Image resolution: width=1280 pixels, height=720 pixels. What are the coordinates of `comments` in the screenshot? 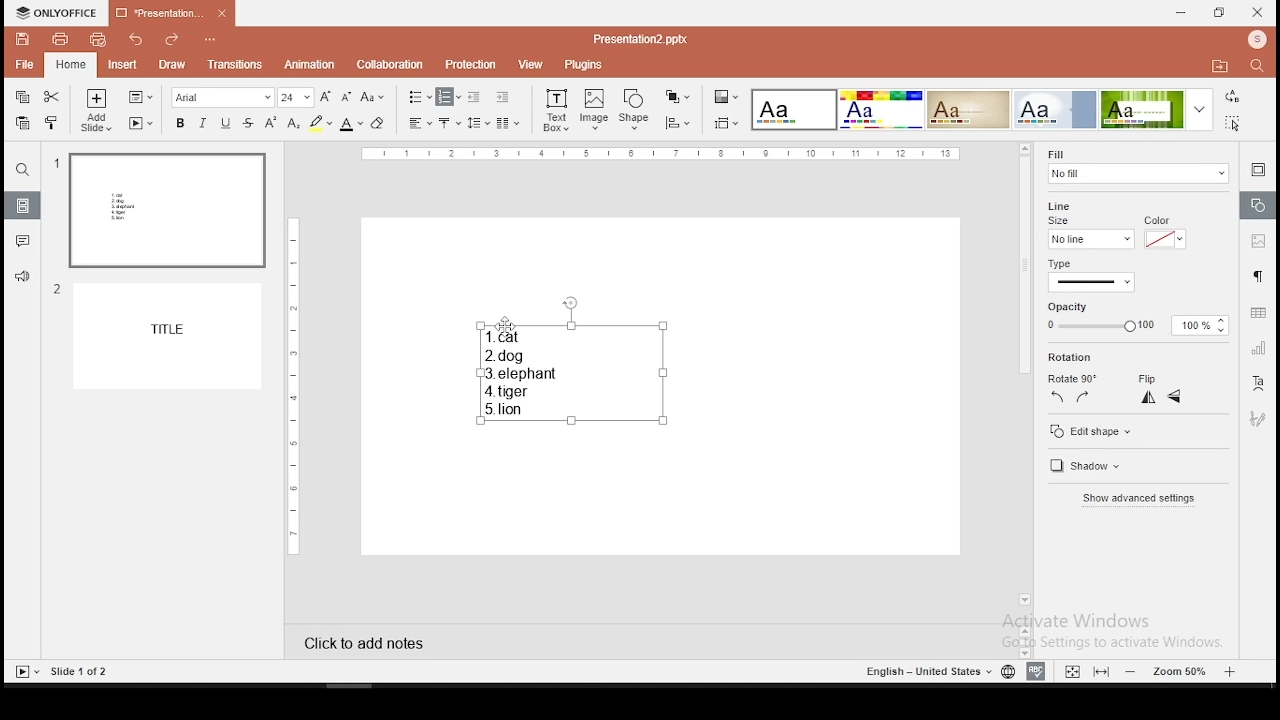 It's located at (20, 242).